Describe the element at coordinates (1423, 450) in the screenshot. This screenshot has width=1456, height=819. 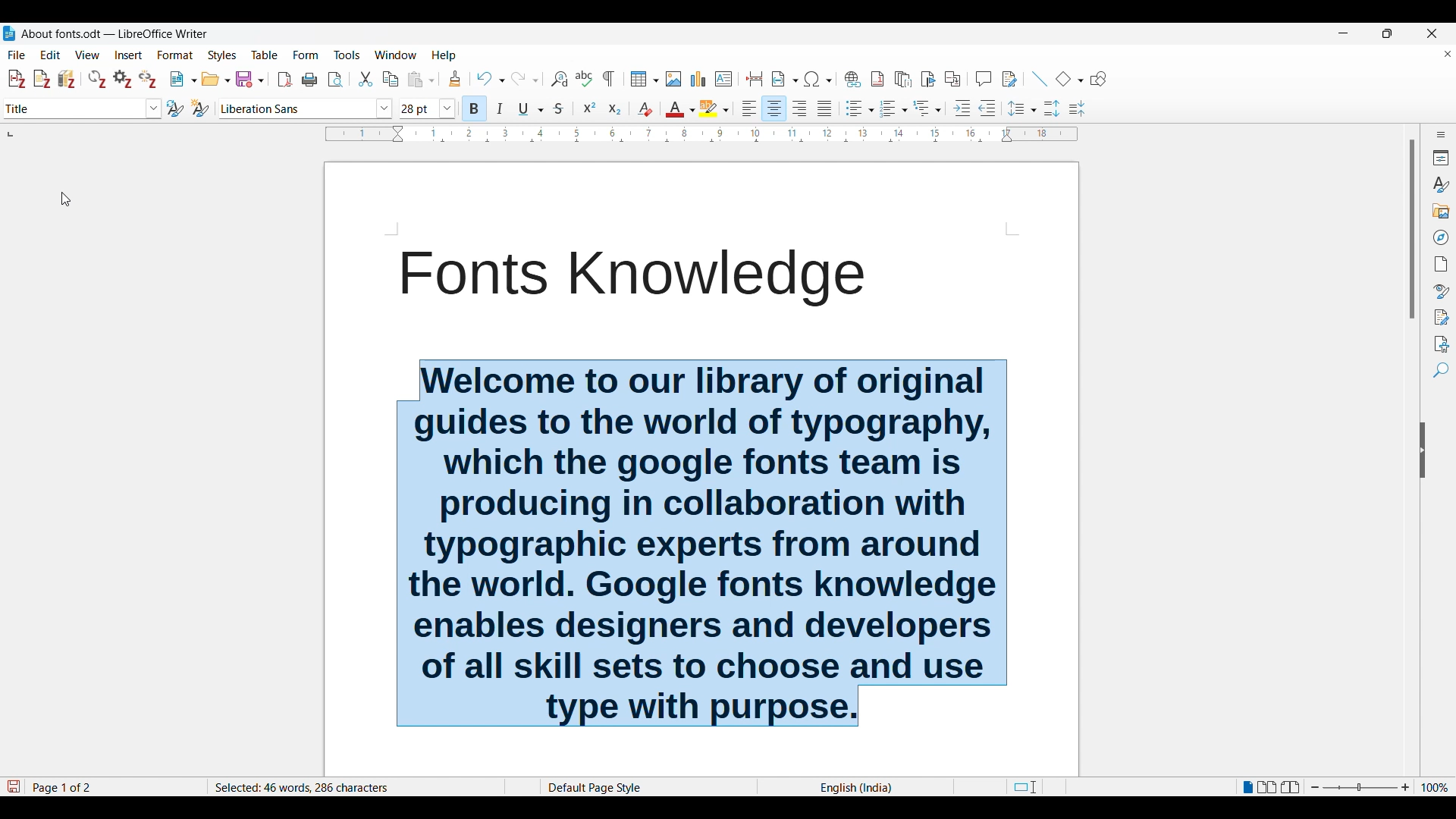
I see `Hide sidebar` at that location.